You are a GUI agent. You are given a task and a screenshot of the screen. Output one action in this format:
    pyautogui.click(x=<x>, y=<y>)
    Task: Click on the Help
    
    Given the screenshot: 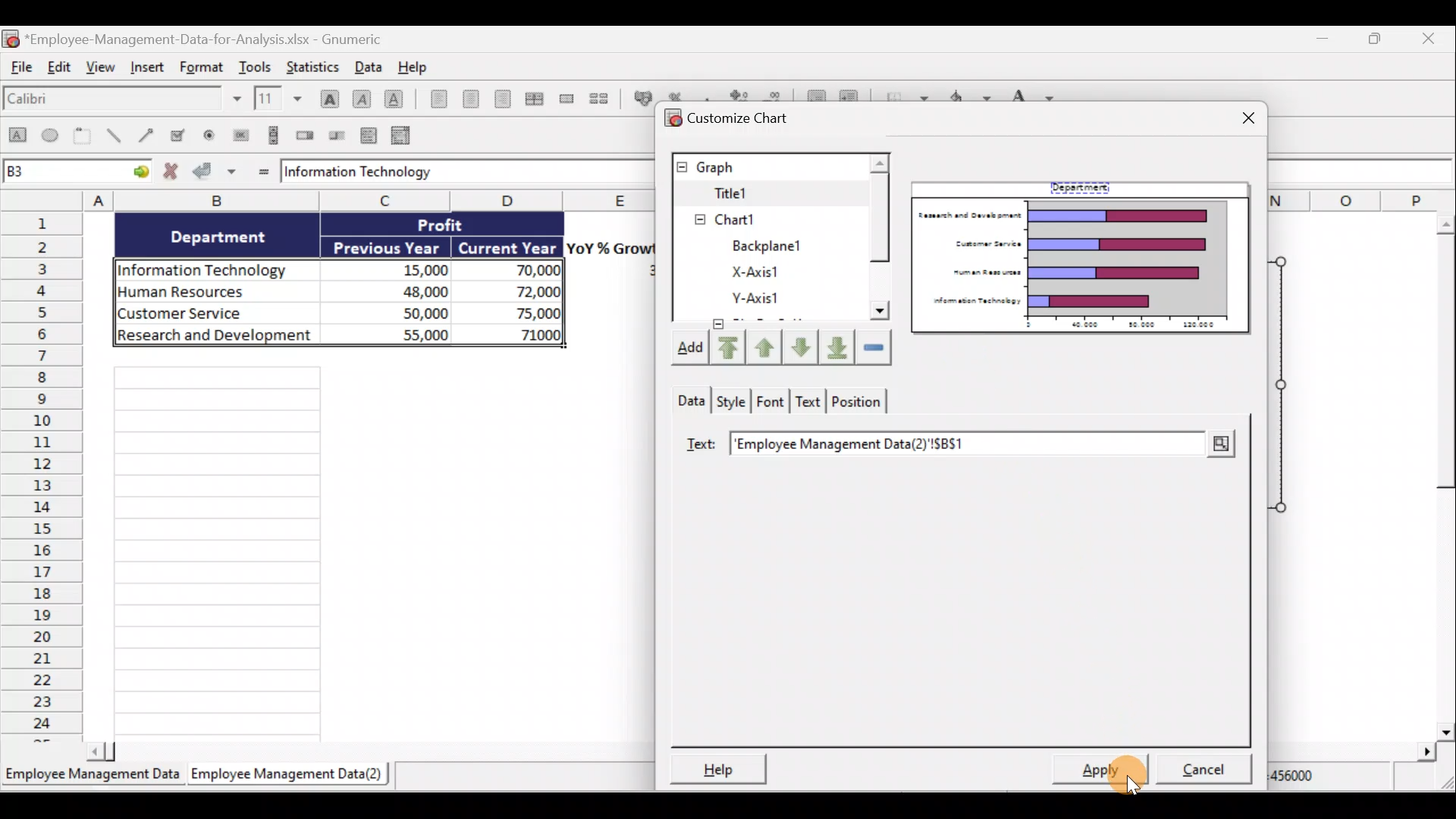 What is the action you would take?
    pyautogui.click(x=725, y=767)
    